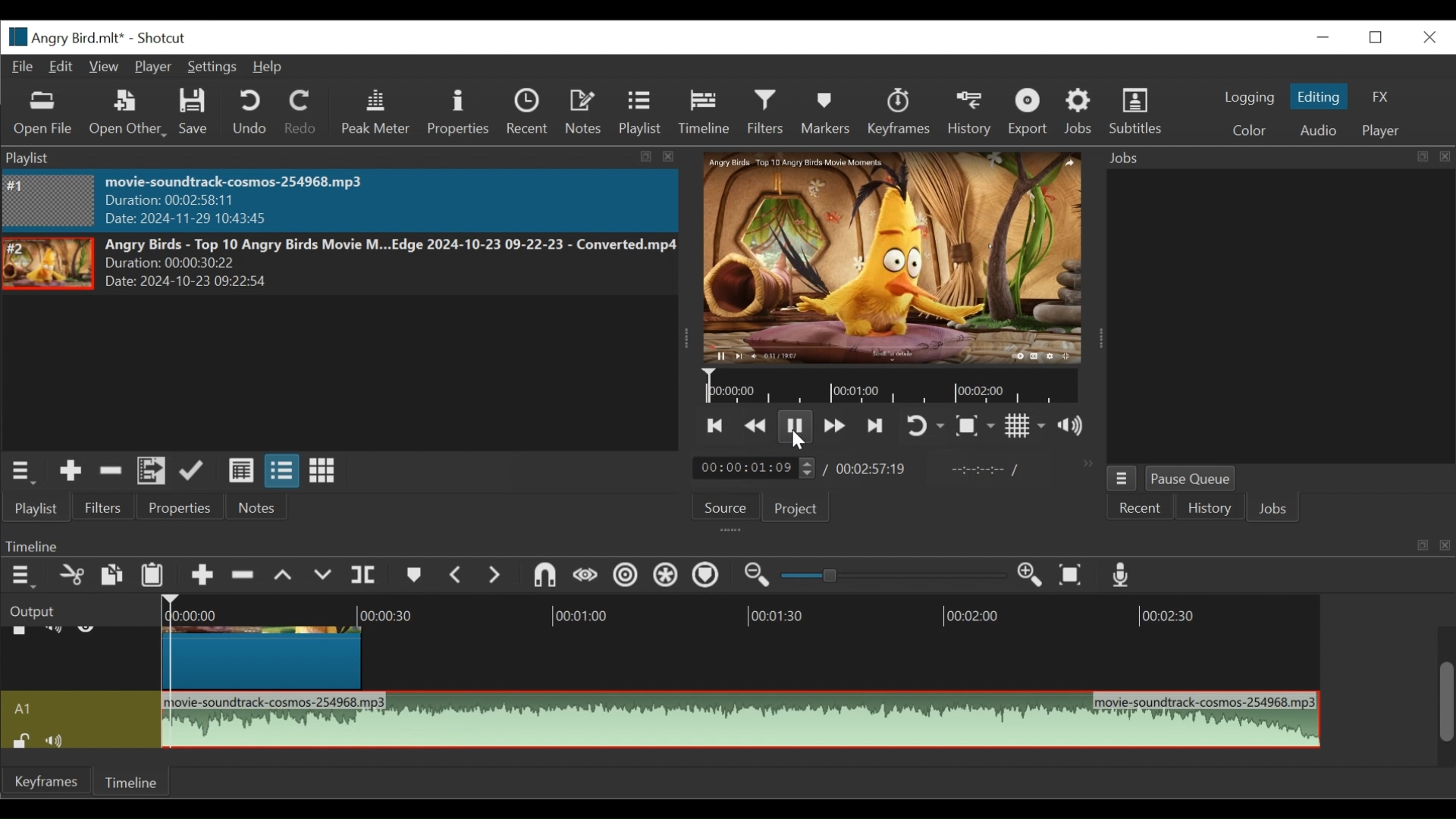  What do you see at coordinates (390, 264) in the screenshot?
I see `Angry Birds - Top 10 Angry Birds Movie M...Edge 2024-10-23 09-22-23 - Converted.mp4Duration: 00:00:30:22 Date: 2024-10-23 09:22>5` at bounding box center [390, 264].